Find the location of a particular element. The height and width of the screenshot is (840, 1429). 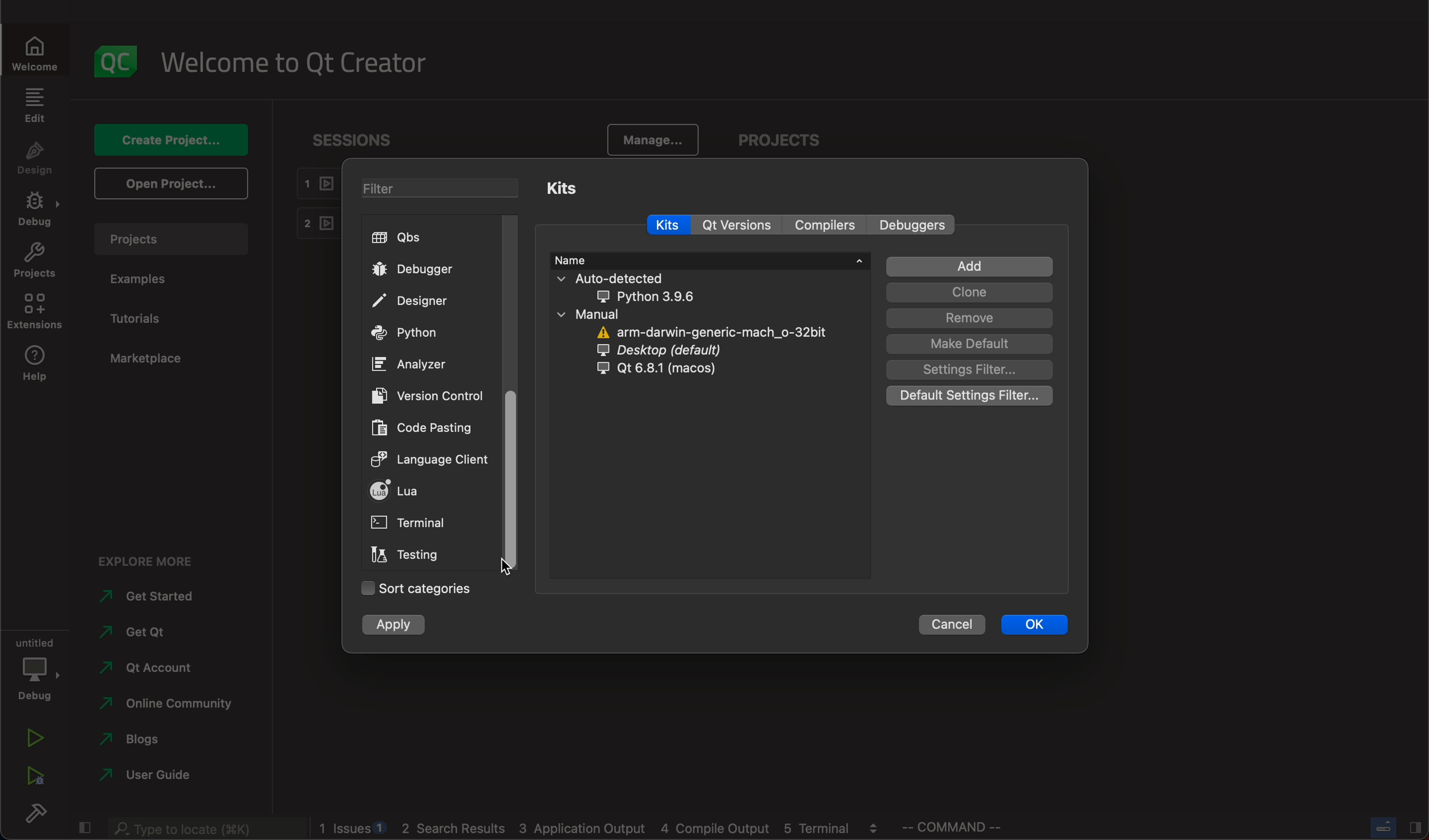

commands is located at coordinates (959, 829).